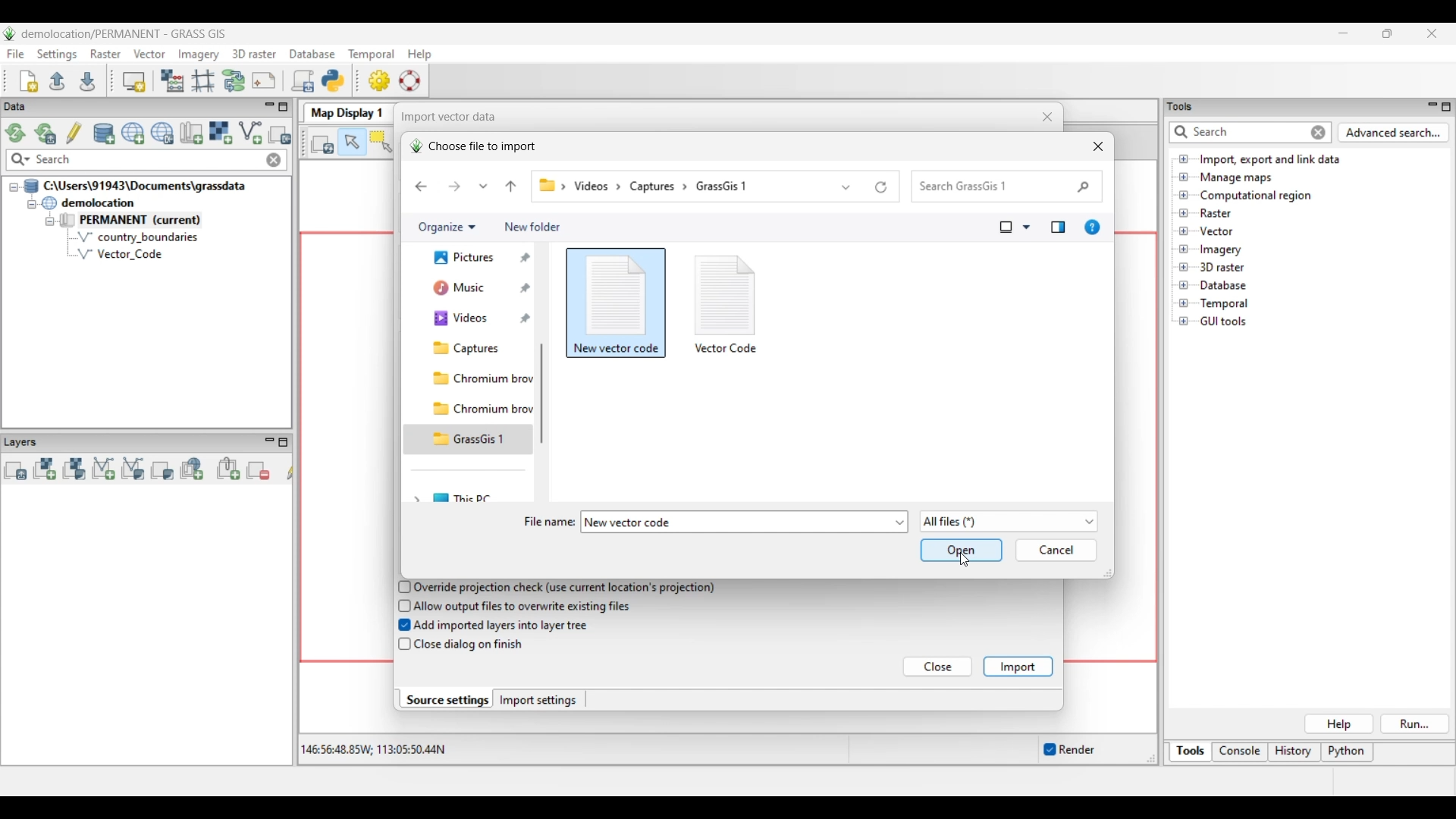  Describe the element at coordinates (1216, 213) in the screenshot. I see `Double click to see files under Raster` at that location.